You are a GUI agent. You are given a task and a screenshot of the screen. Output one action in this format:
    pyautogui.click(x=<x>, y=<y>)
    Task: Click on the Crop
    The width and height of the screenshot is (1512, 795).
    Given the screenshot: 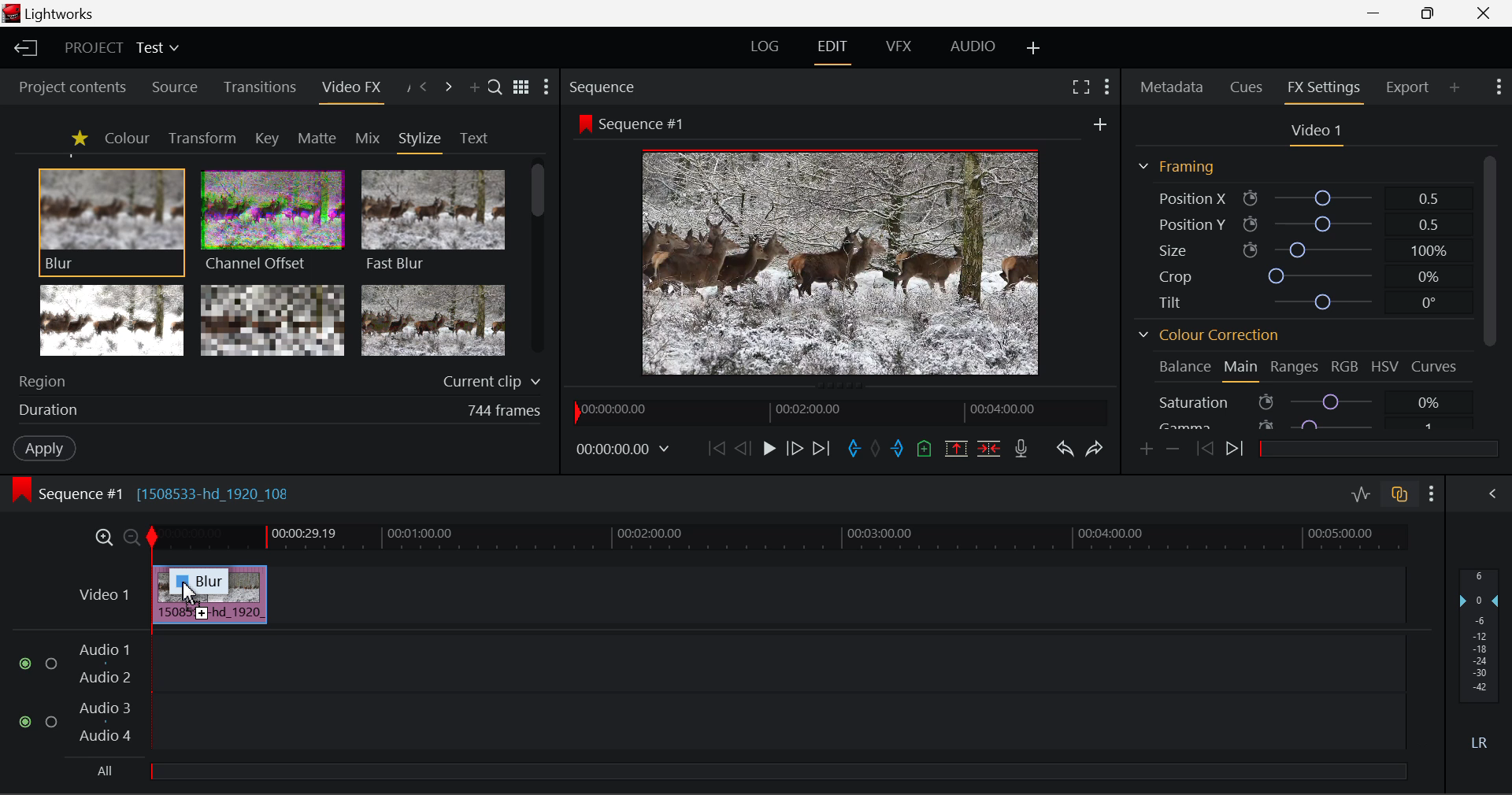 What is the action you would take?
    pyautogui.click(x=1298, y=274)
    